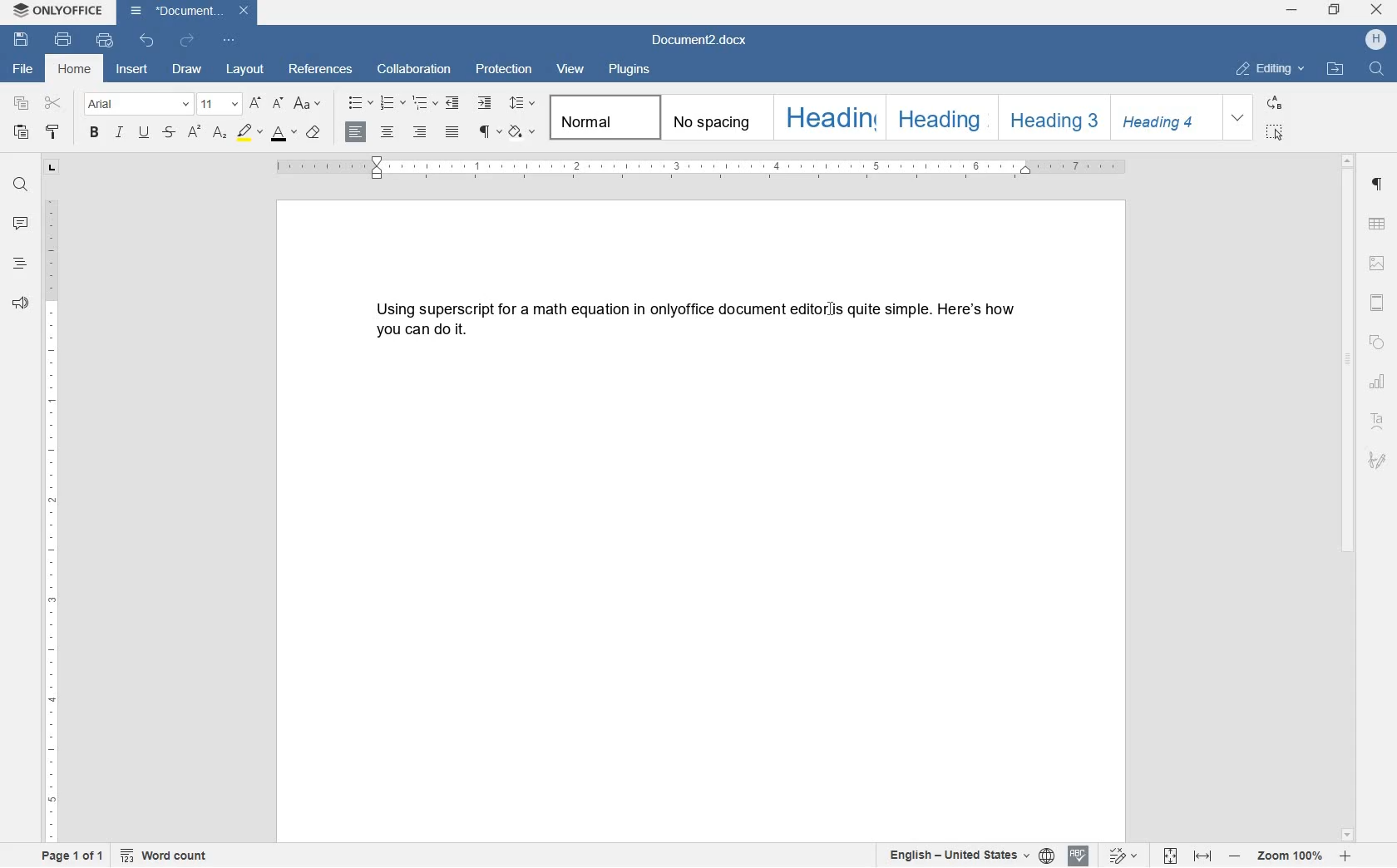  Describe the element at coordinates (74, 858) in the screenshot. I see `page 1 of 1` at that location.